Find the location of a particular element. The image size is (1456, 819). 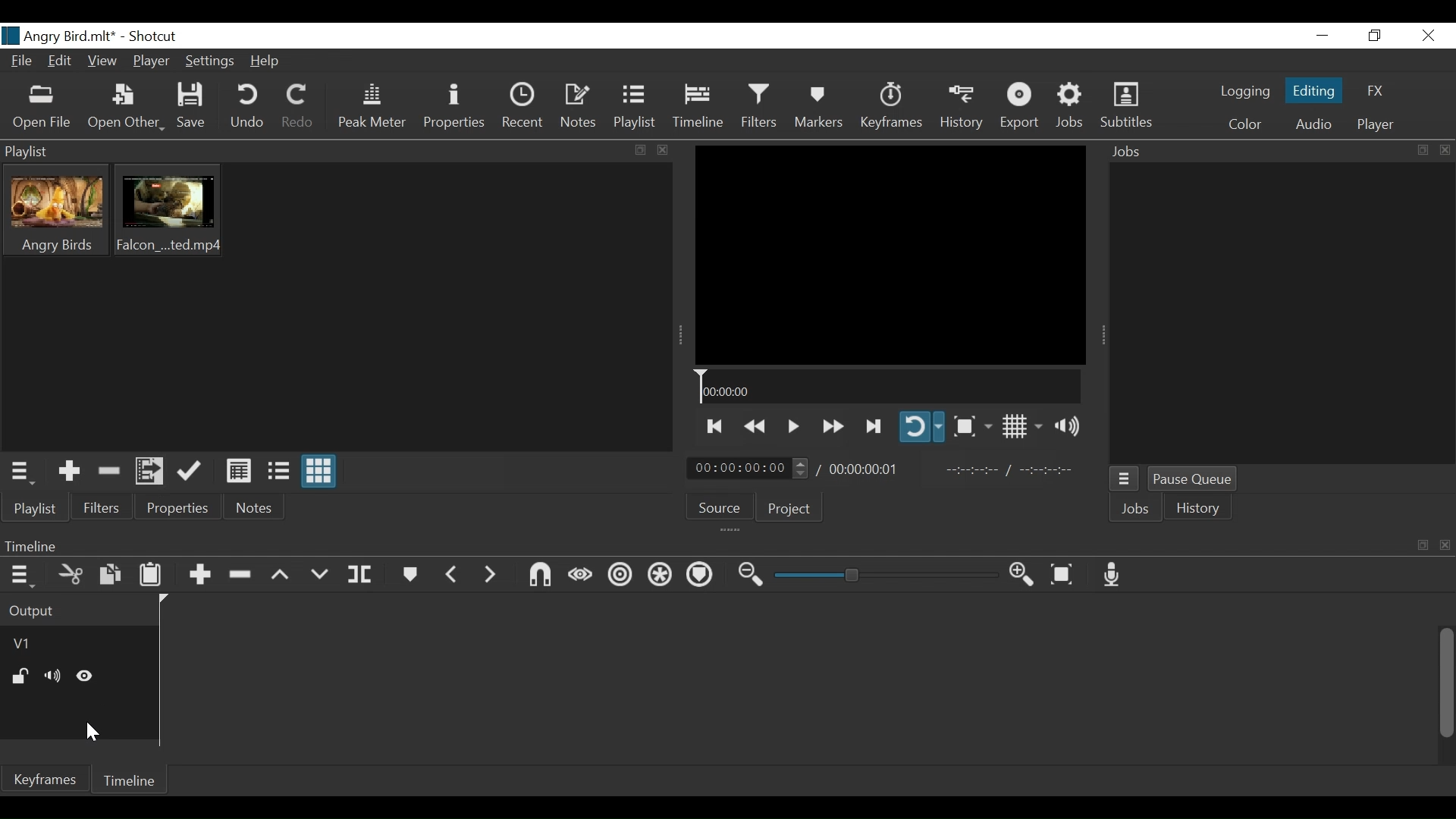

Help is located at coordinates (266, 61).